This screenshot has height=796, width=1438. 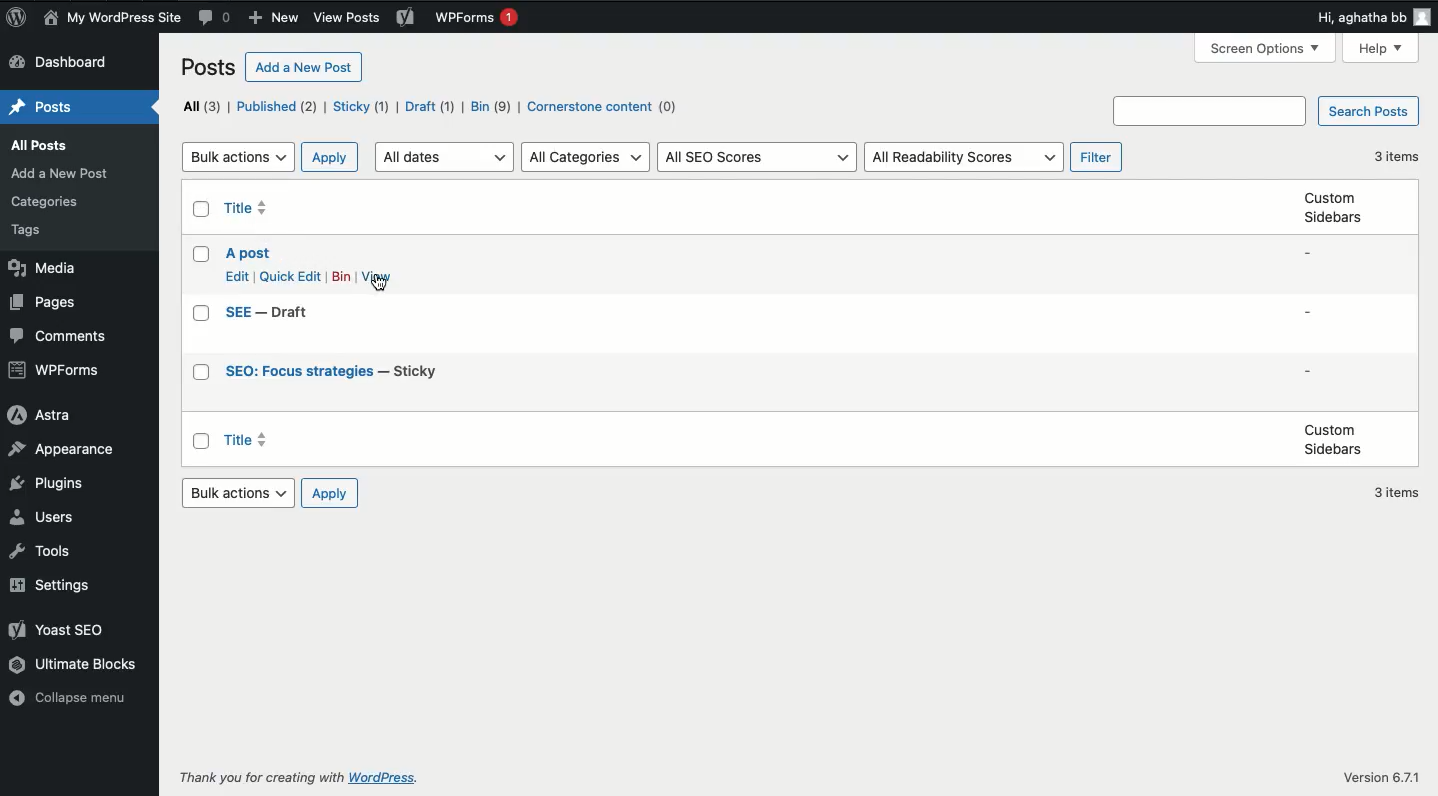 What do you see at coordinates (47, 483) in the screenshot?
I see `Plugins` at bounding box center [47, 483].